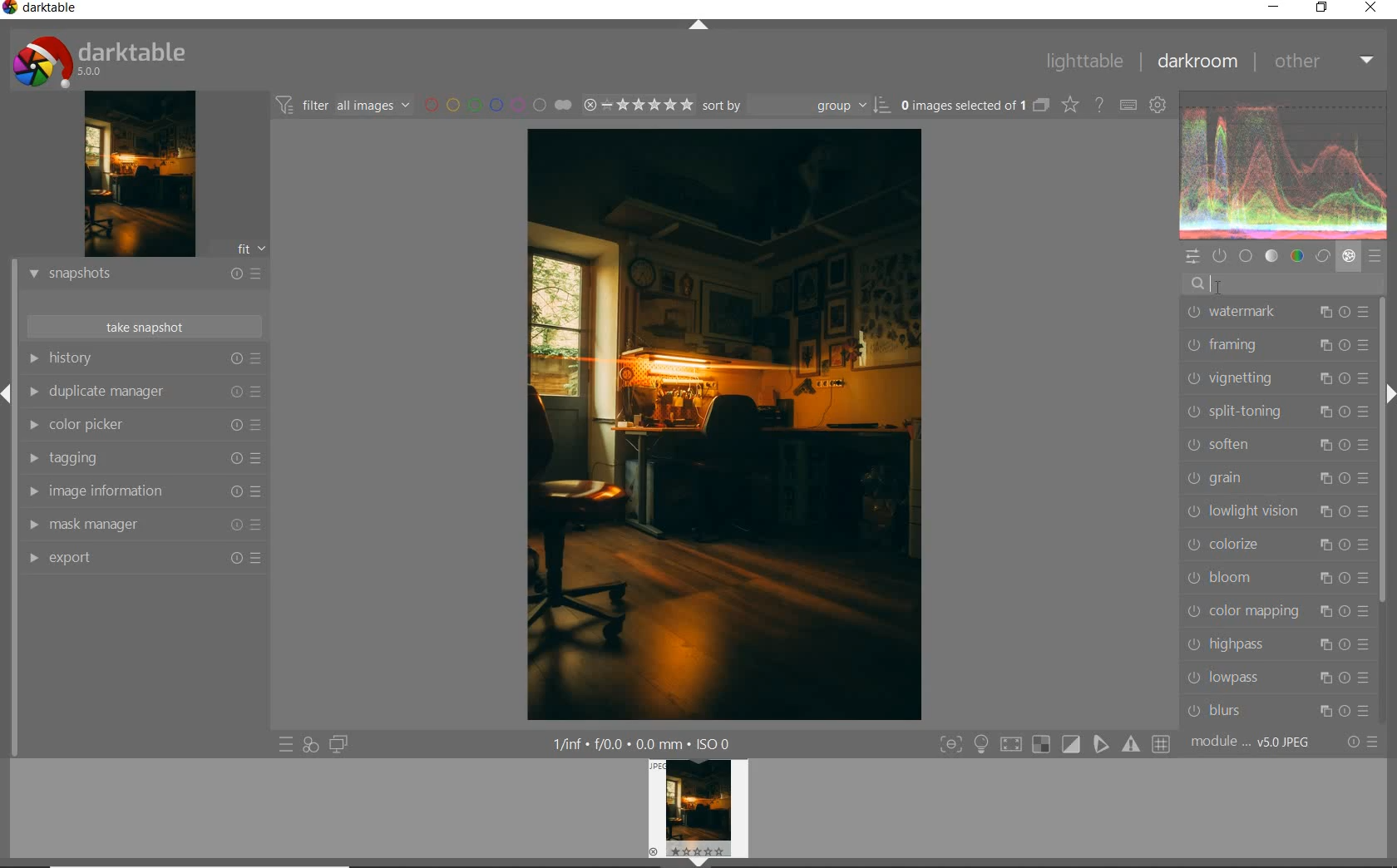 This screenshot has width=1397, height=868. Describe the element at coordinates (1200, 62) in the screenshot. I see `darkroom` at that location.